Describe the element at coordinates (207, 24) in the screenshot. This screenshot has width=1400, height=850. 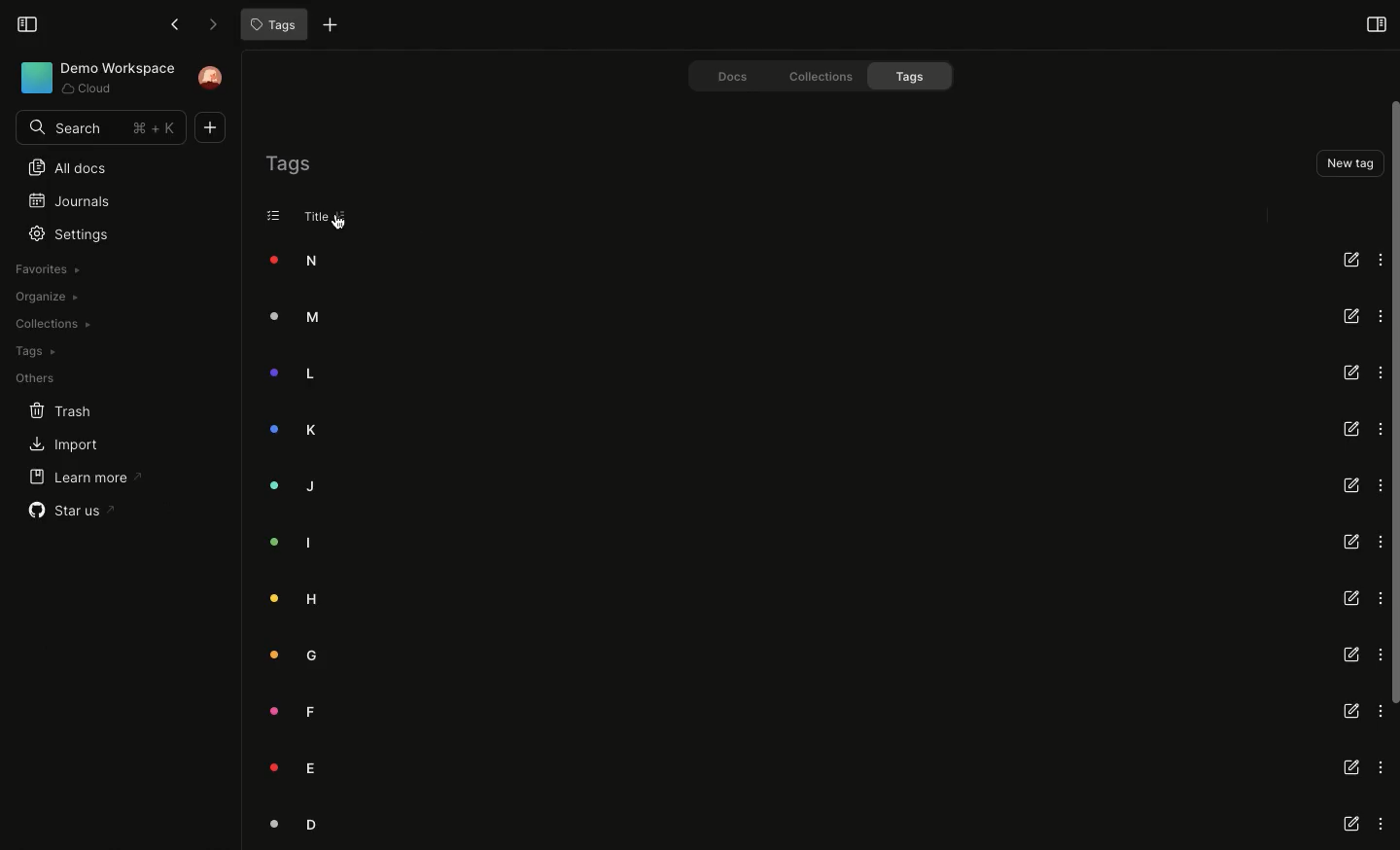
I see `Forward` at that location.